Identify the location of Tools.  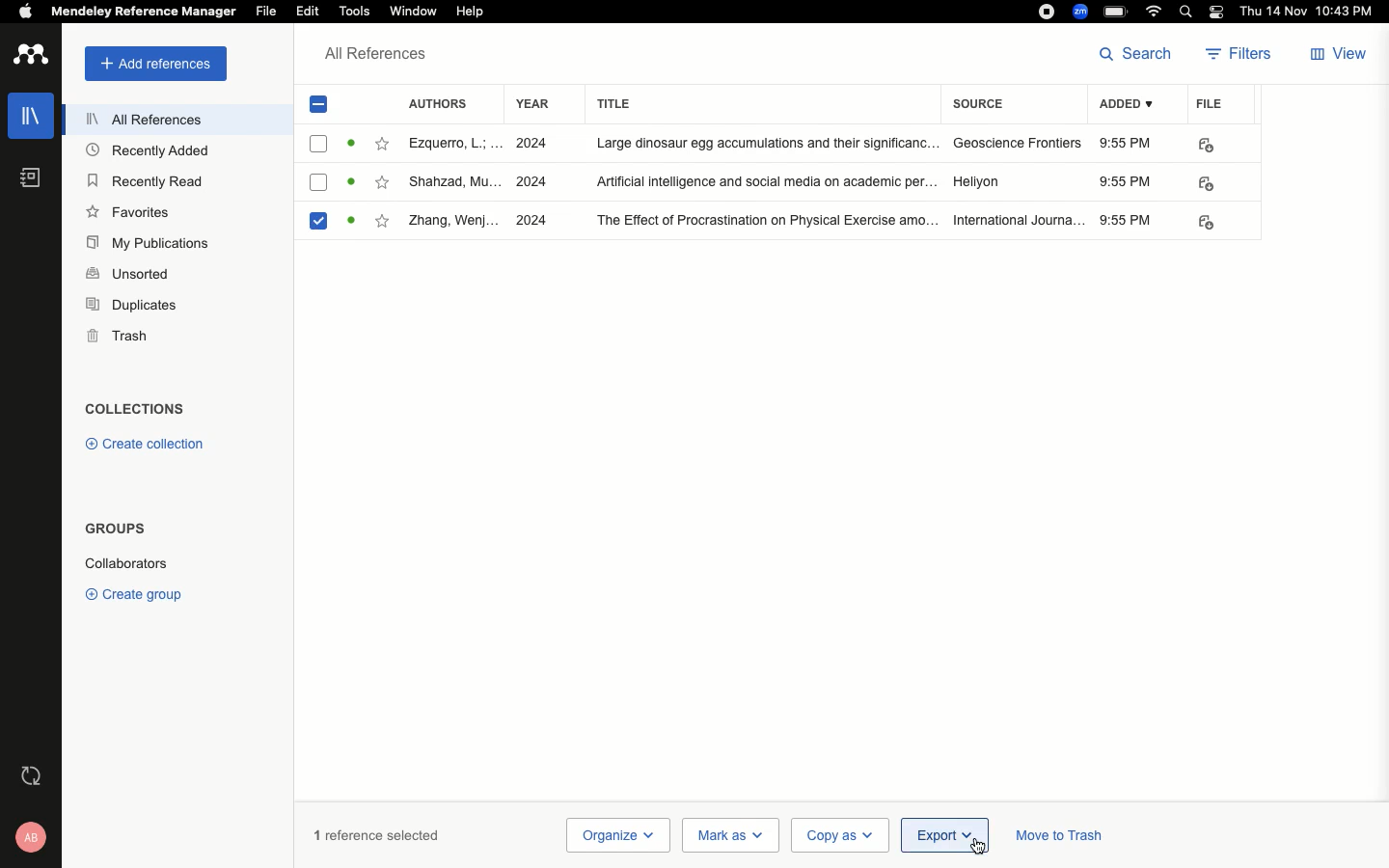
(352, 11).